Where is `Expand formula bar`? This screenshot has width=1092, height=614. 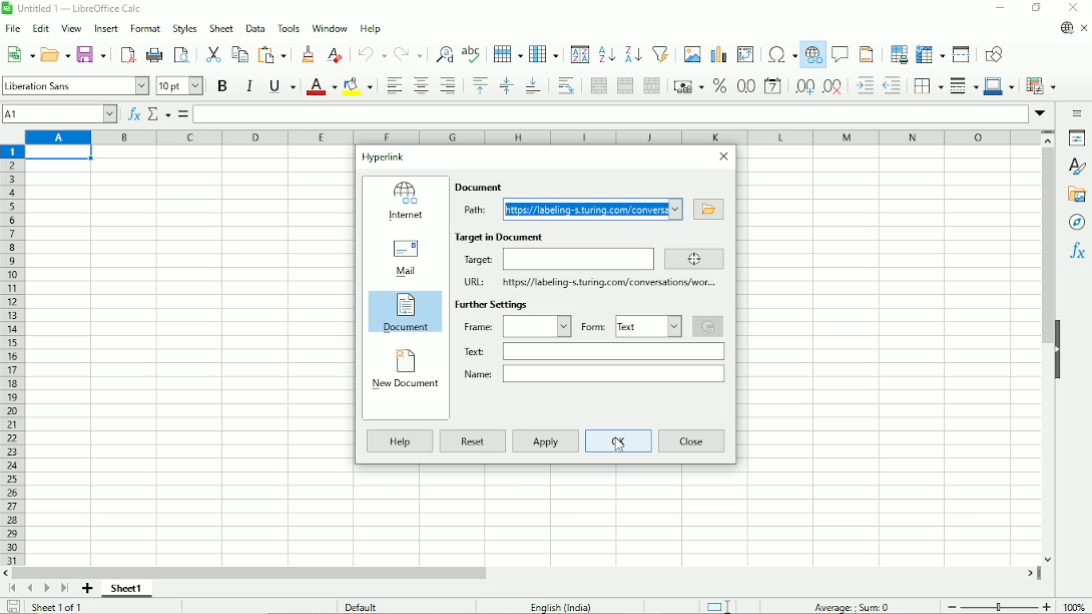
Expand formula bar is located at coordinates (1041, 114).